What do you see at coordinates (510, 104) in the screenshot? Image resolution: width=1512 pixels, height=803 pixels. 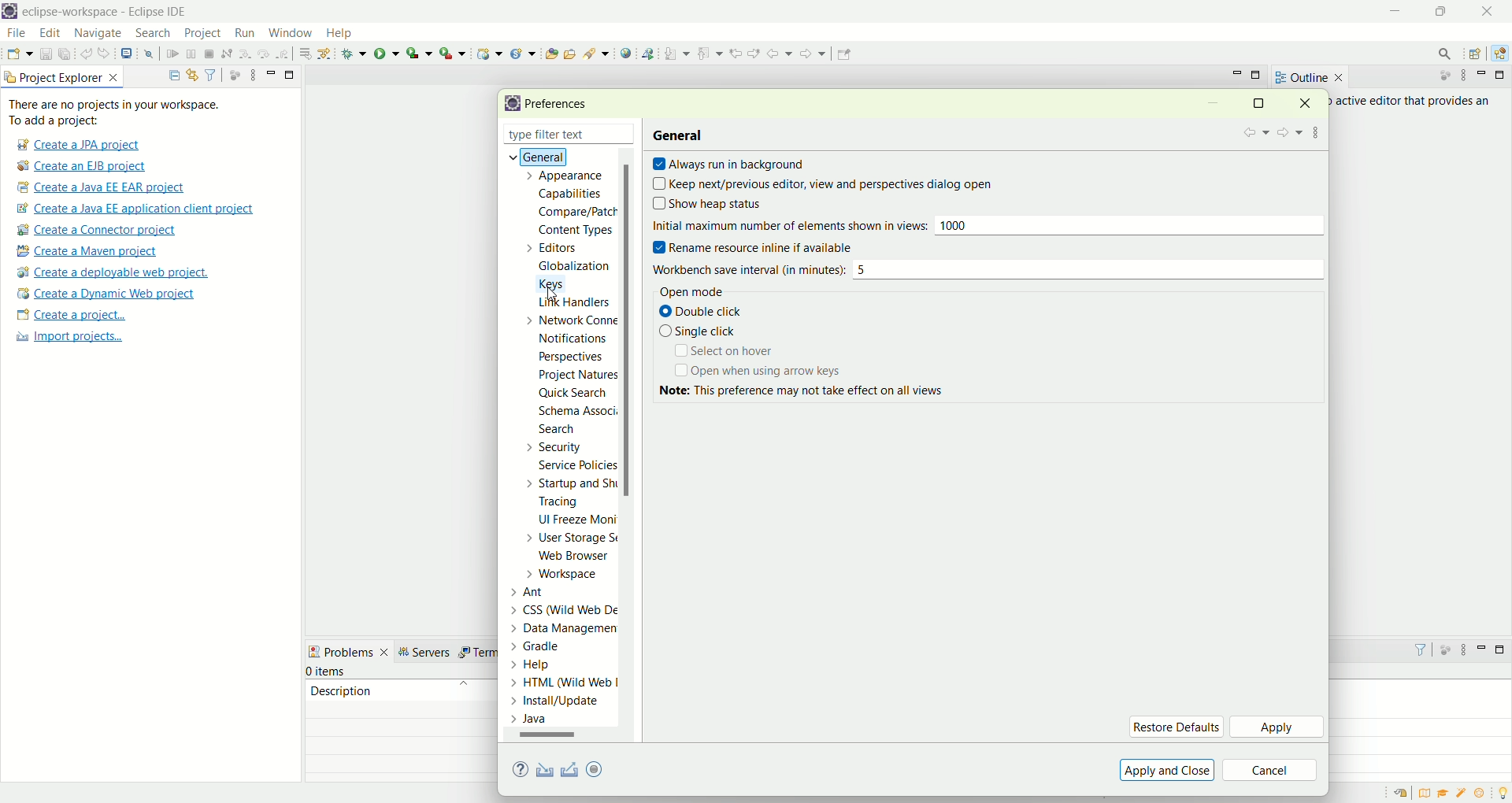 I see `logo` at bounding box center [510, 104].